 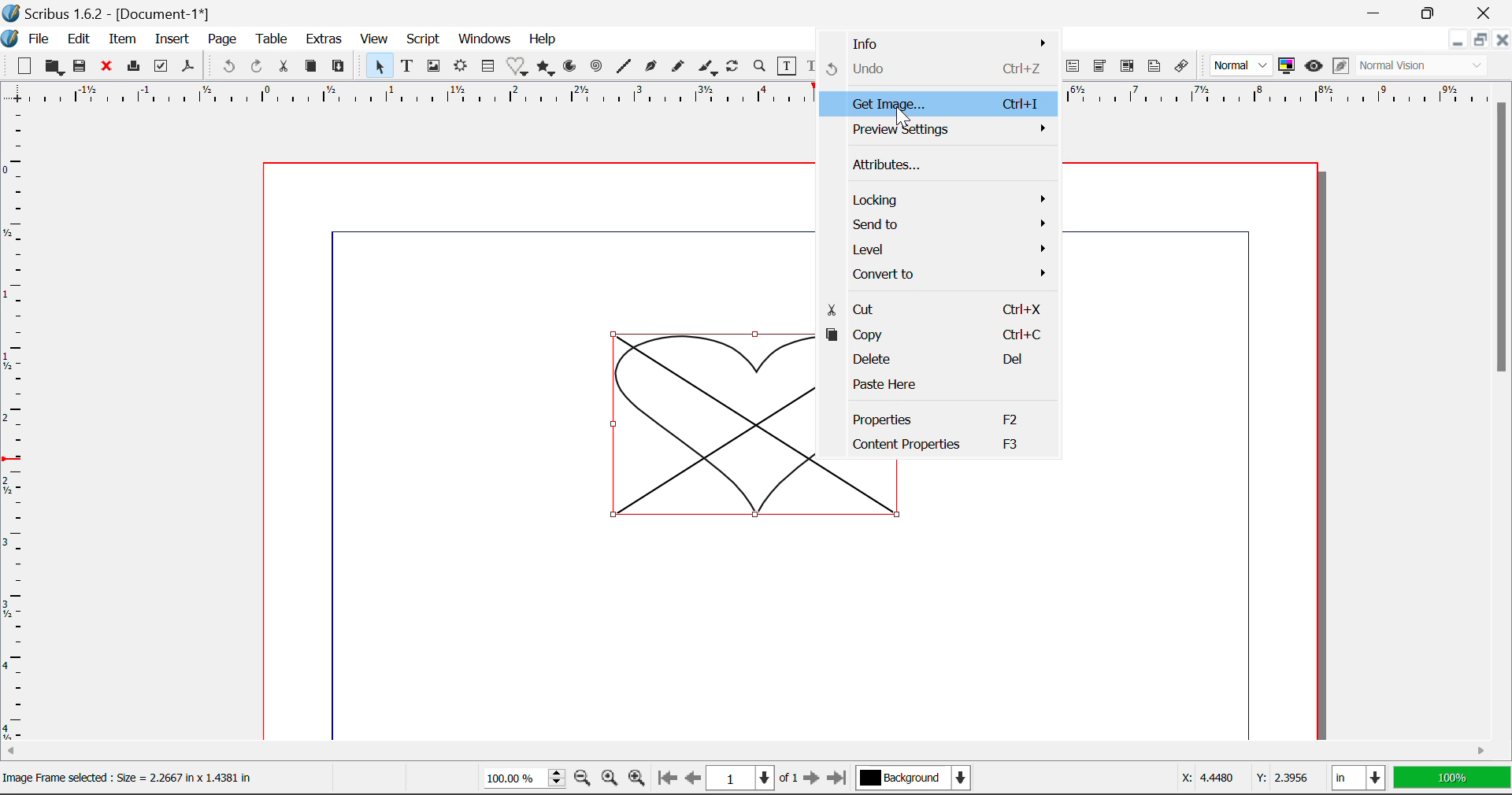 I want to click on Preview Mode, so click(x=1314, y=68).